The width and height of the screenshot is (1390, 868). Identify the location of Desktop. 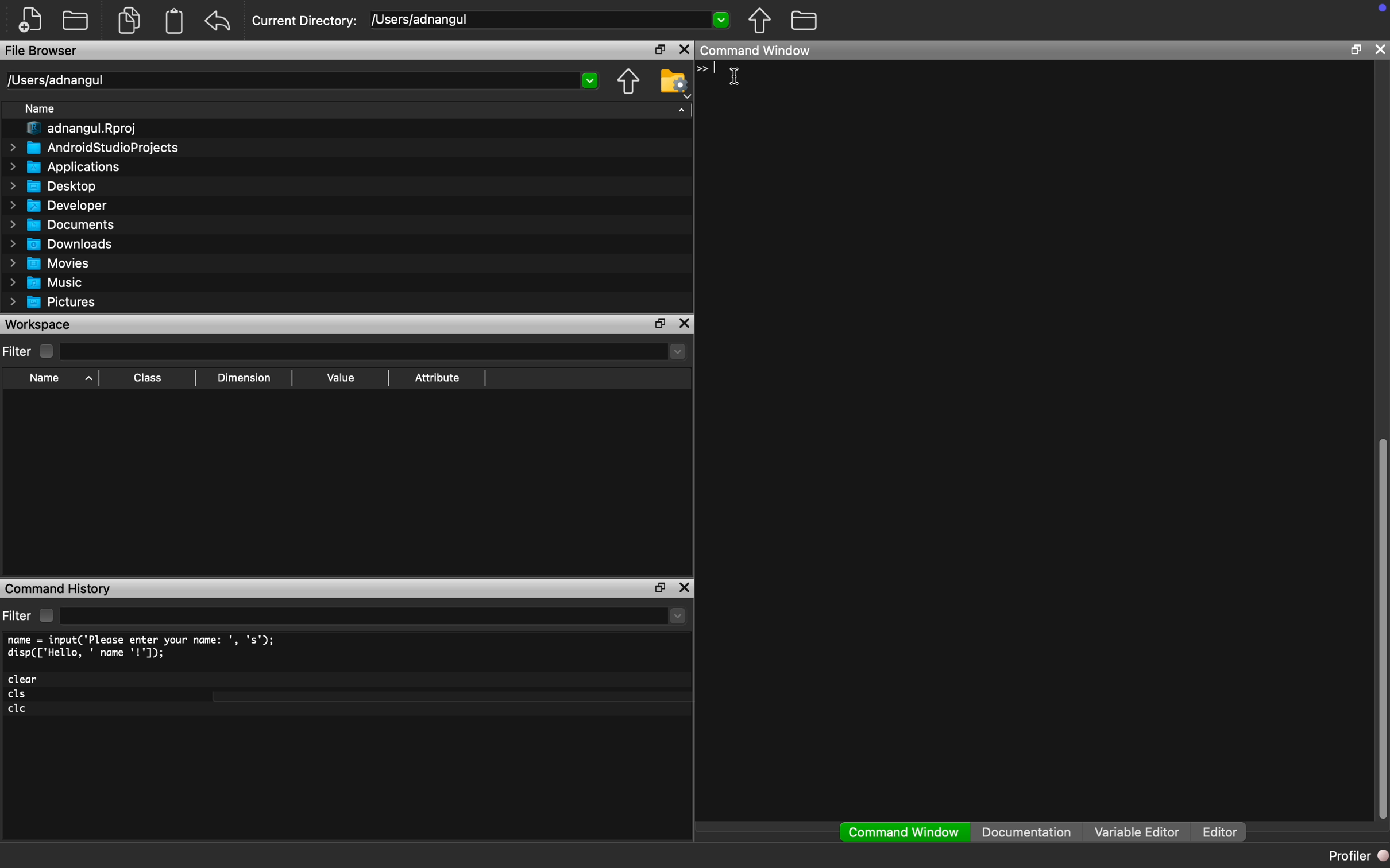
(53, 187).